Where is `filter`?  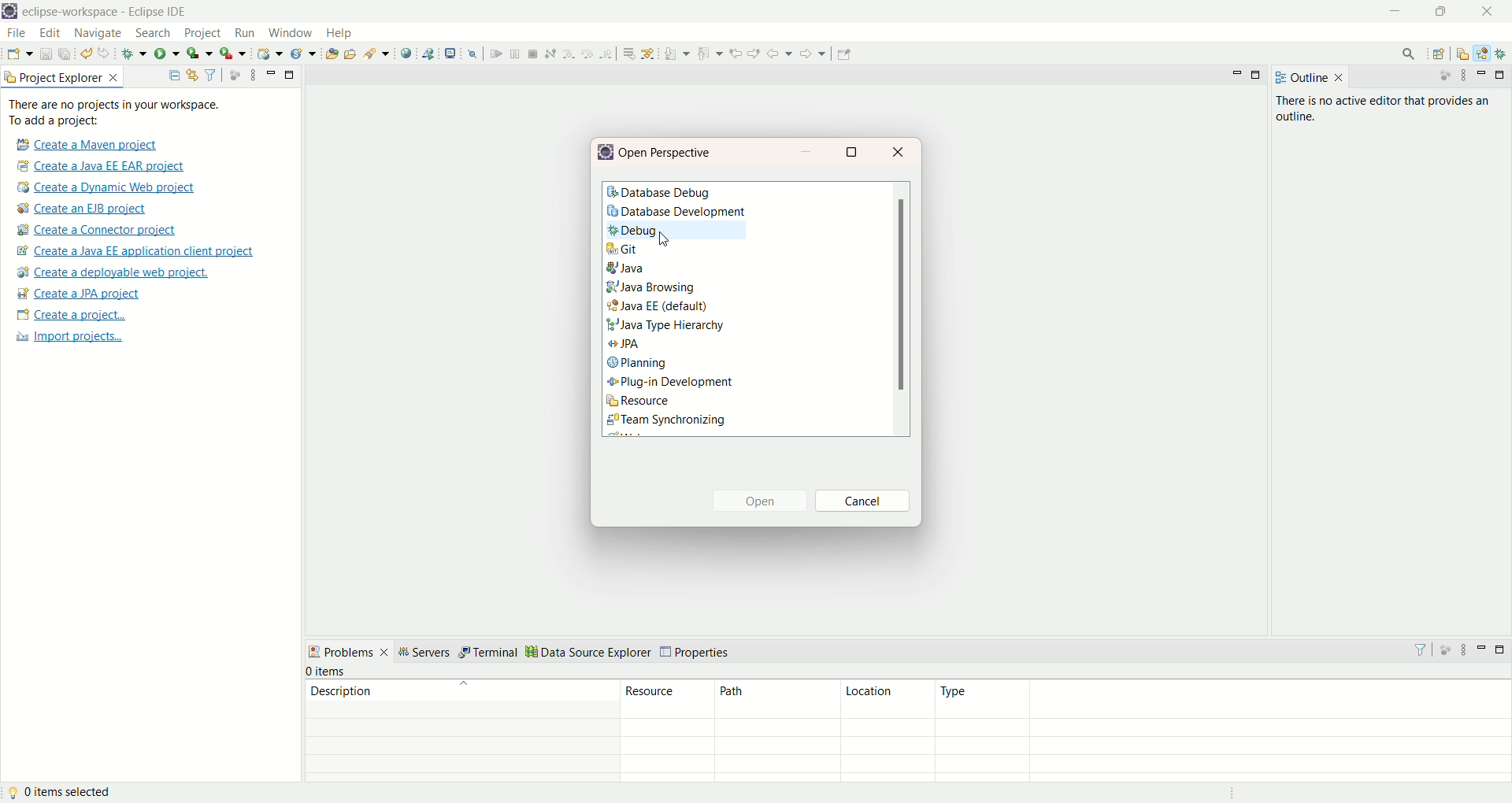 filter is located at coordinates (211, 73).